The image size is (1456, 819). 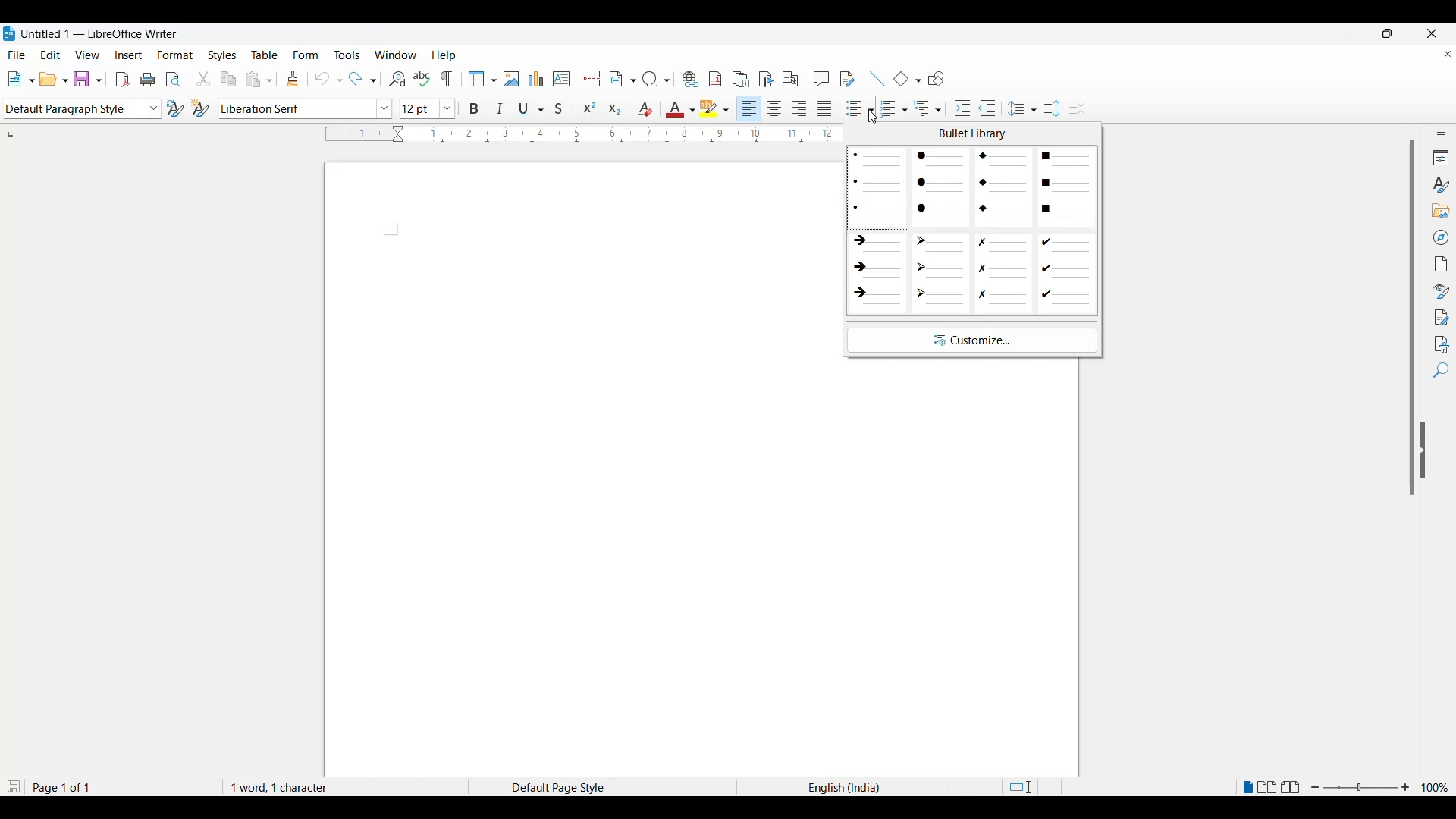 What do you see at coordinates (20, 78) in the screenshot?
I see `new document` at bounding box center [20, 78].